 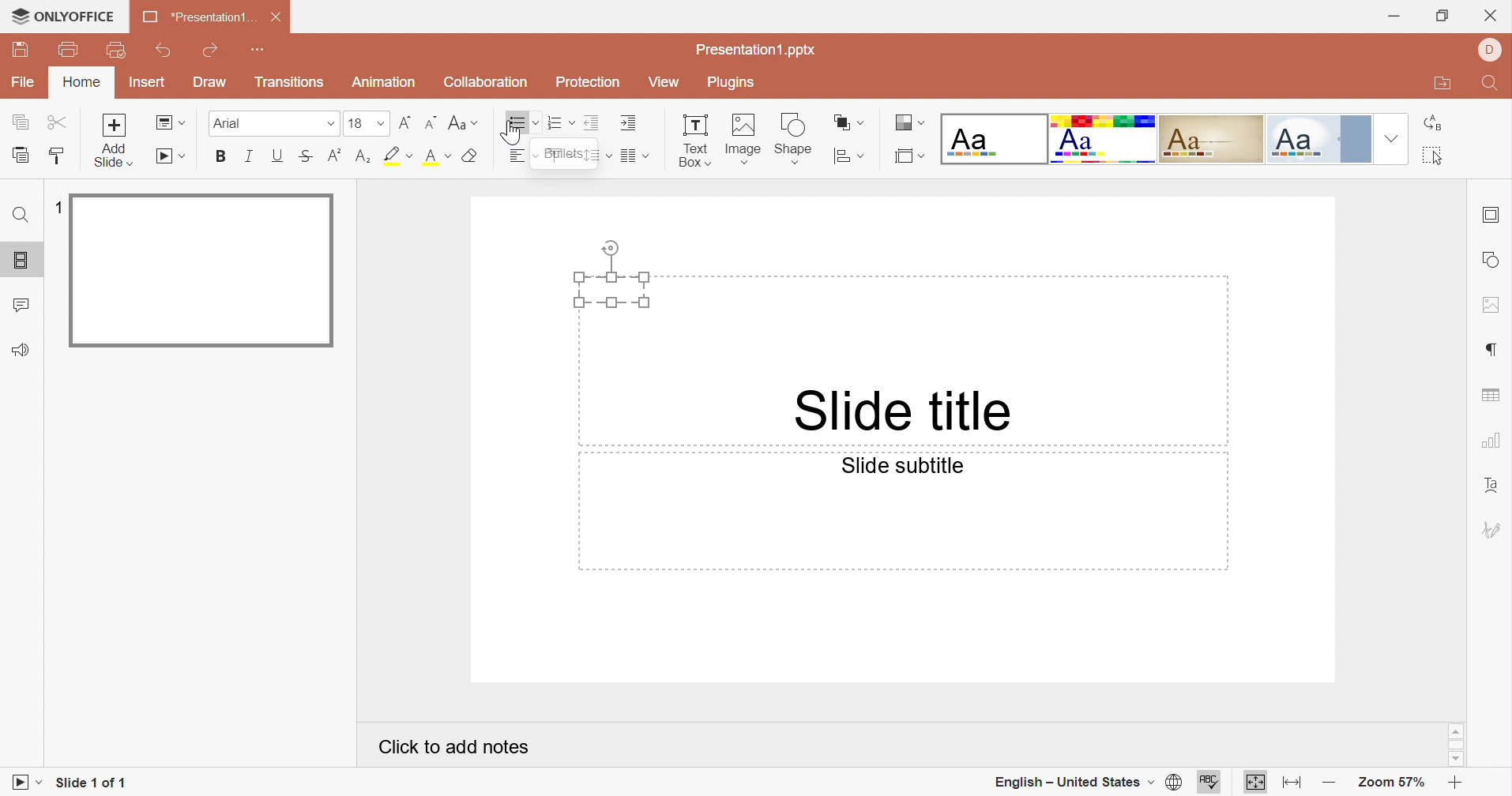 What do you see at coordinates (1446, 86) in the screenshot?
I see `Open file location` at bounding box center [1446, 86].